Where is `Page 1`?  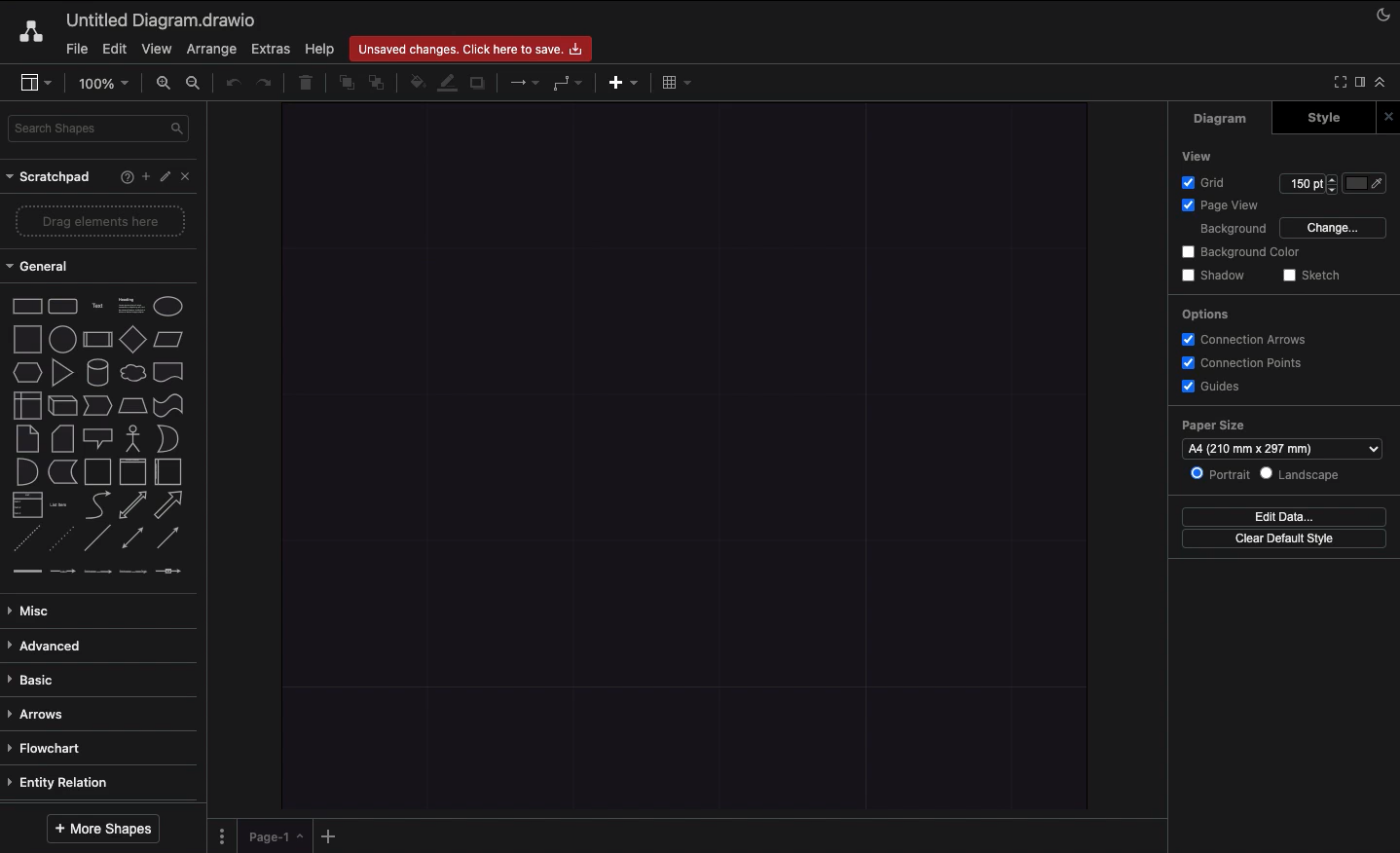
Page 1 is located at coordinates (269, 834).